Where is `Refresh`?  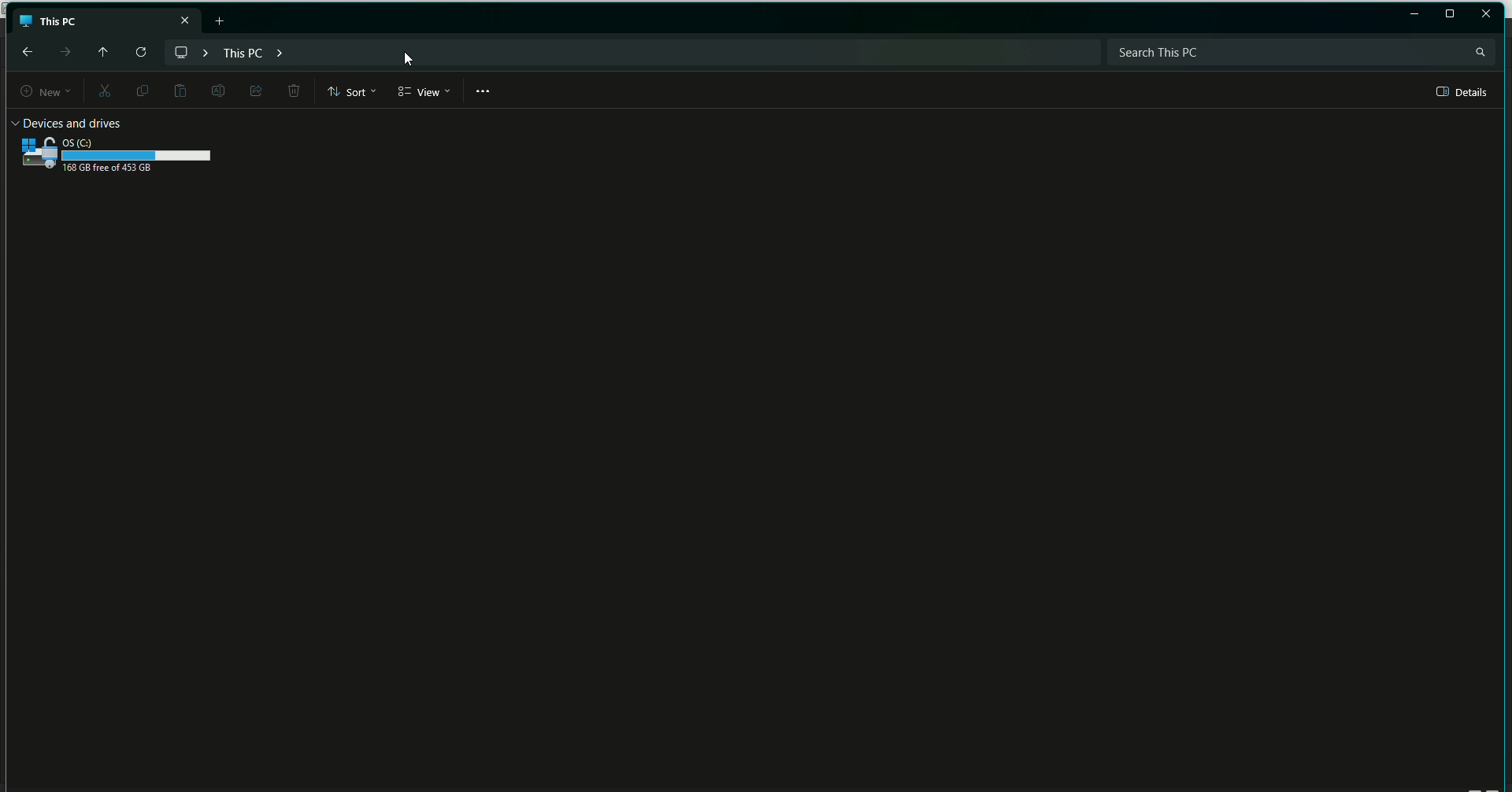 Refresh is located at coordinates (139, 53).